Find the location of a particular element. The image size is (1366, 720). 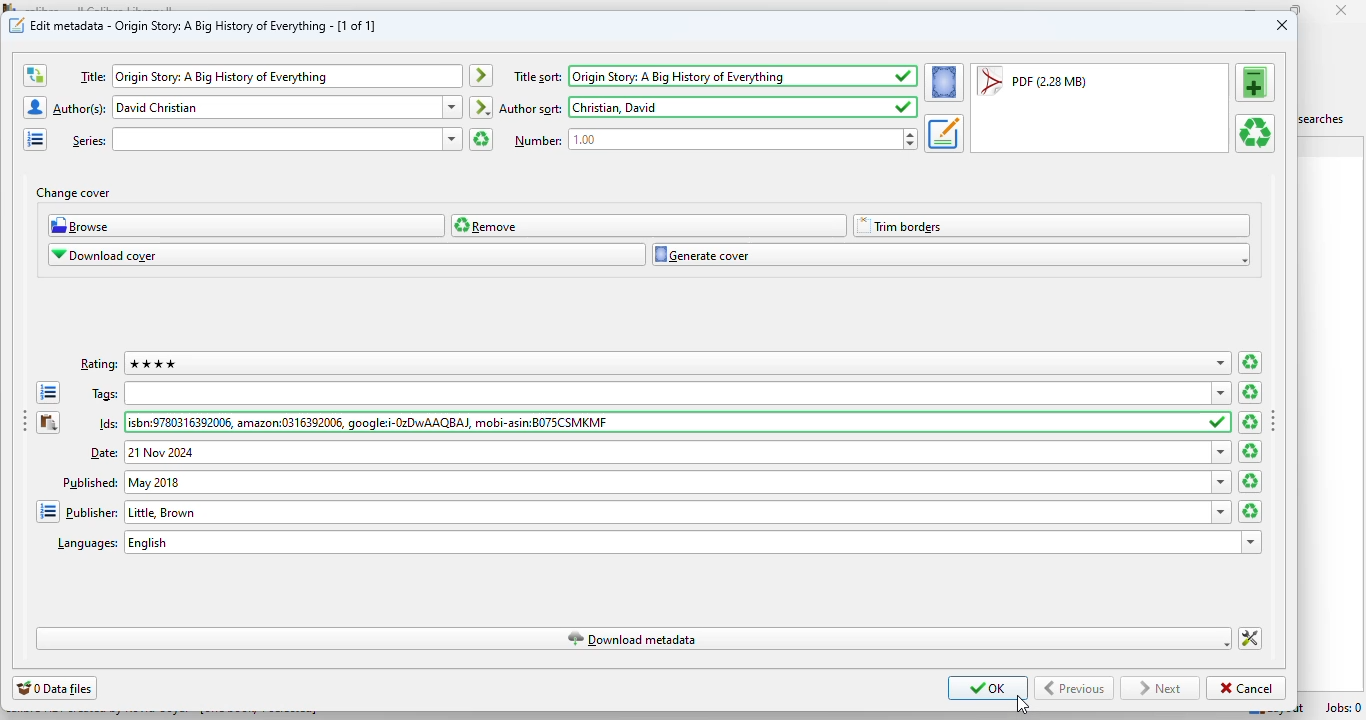

date: 21 Nov 2024 is located at coordinates (666, 452).